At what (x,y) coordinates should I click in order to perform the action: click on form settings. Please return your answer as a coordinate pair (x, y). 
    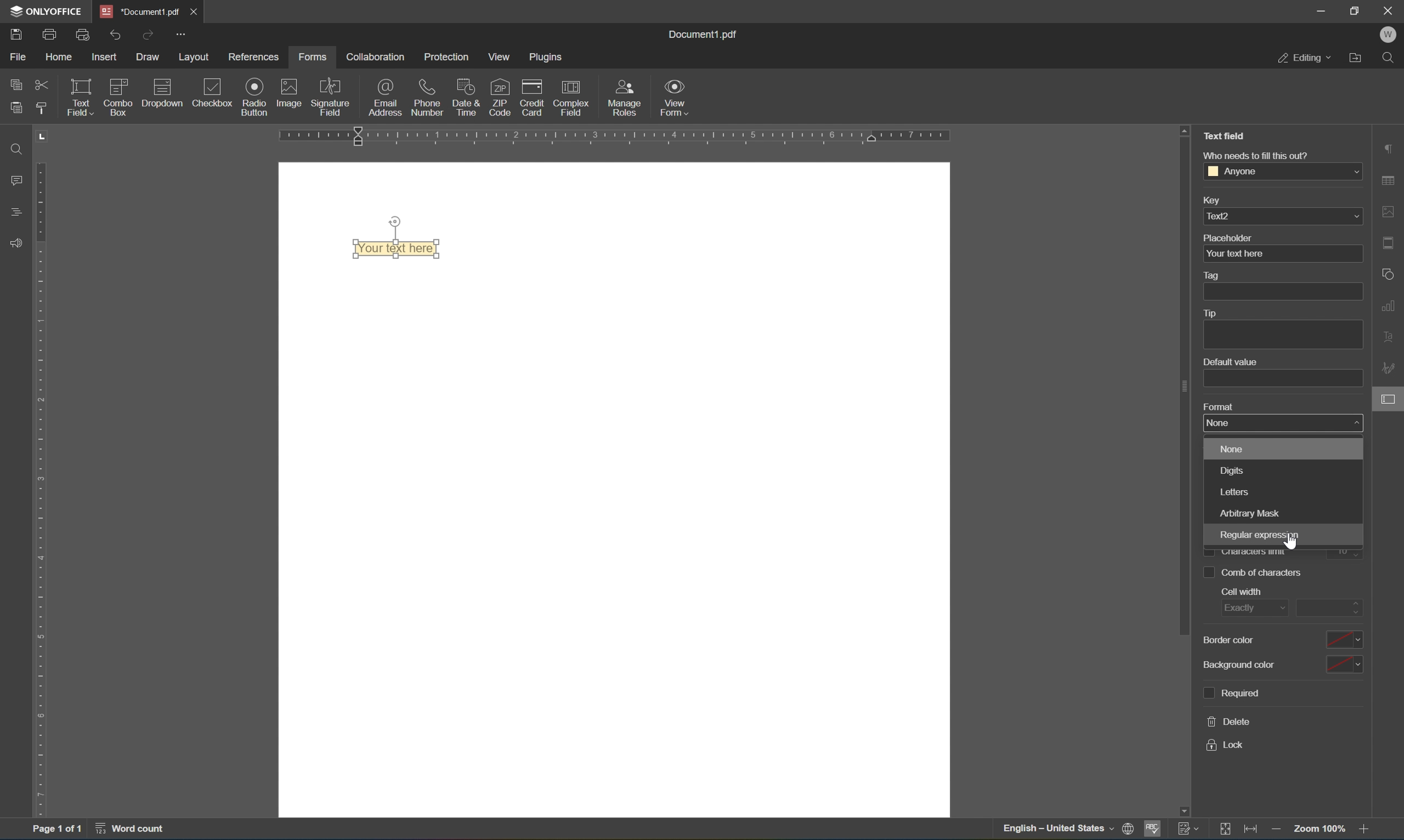
    Looking at the image, I should click on (1389, 404).